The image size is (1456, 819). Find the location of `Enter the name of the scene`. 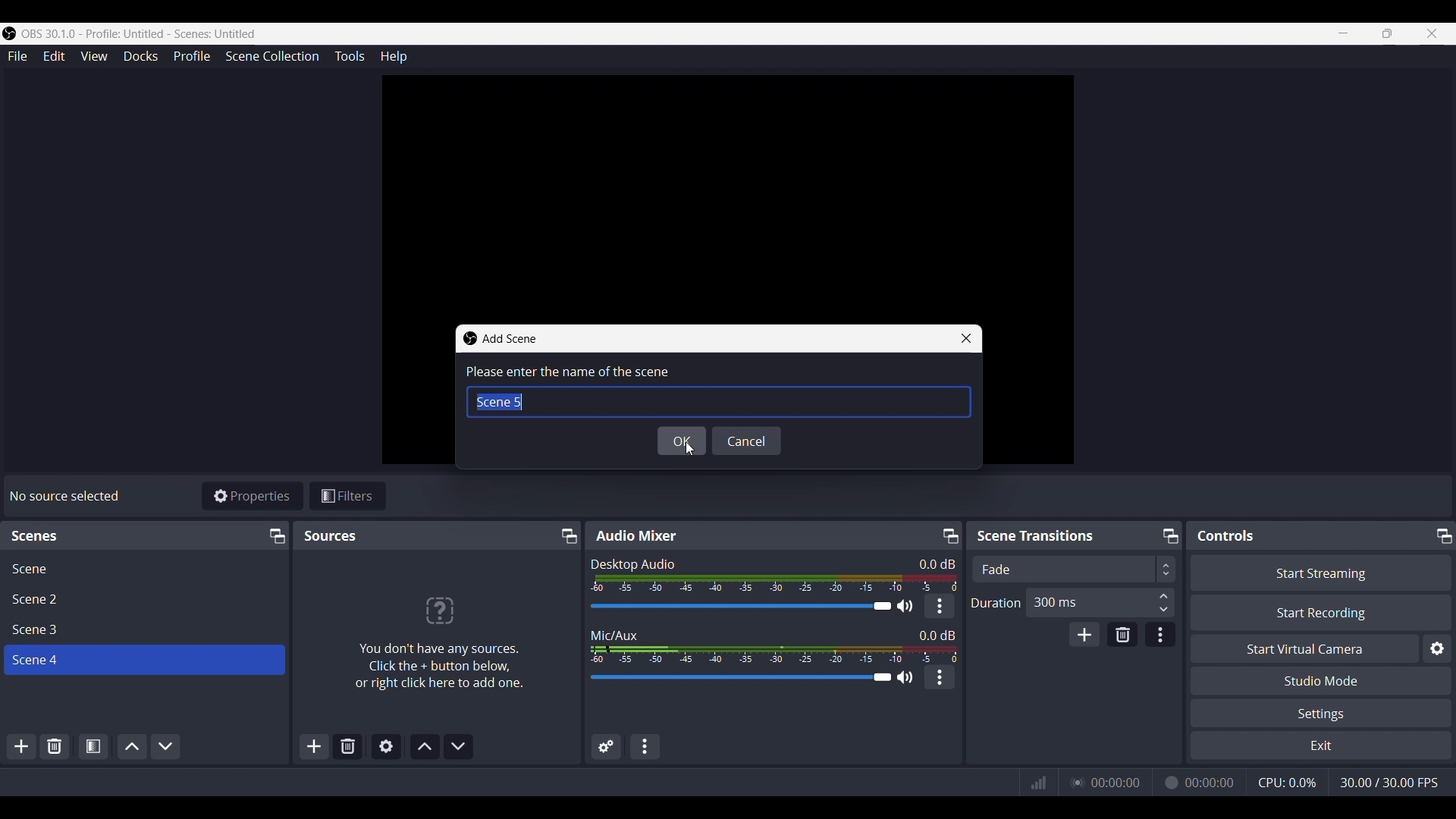

Enter the name of the scene is located at coordinates (720, 373).